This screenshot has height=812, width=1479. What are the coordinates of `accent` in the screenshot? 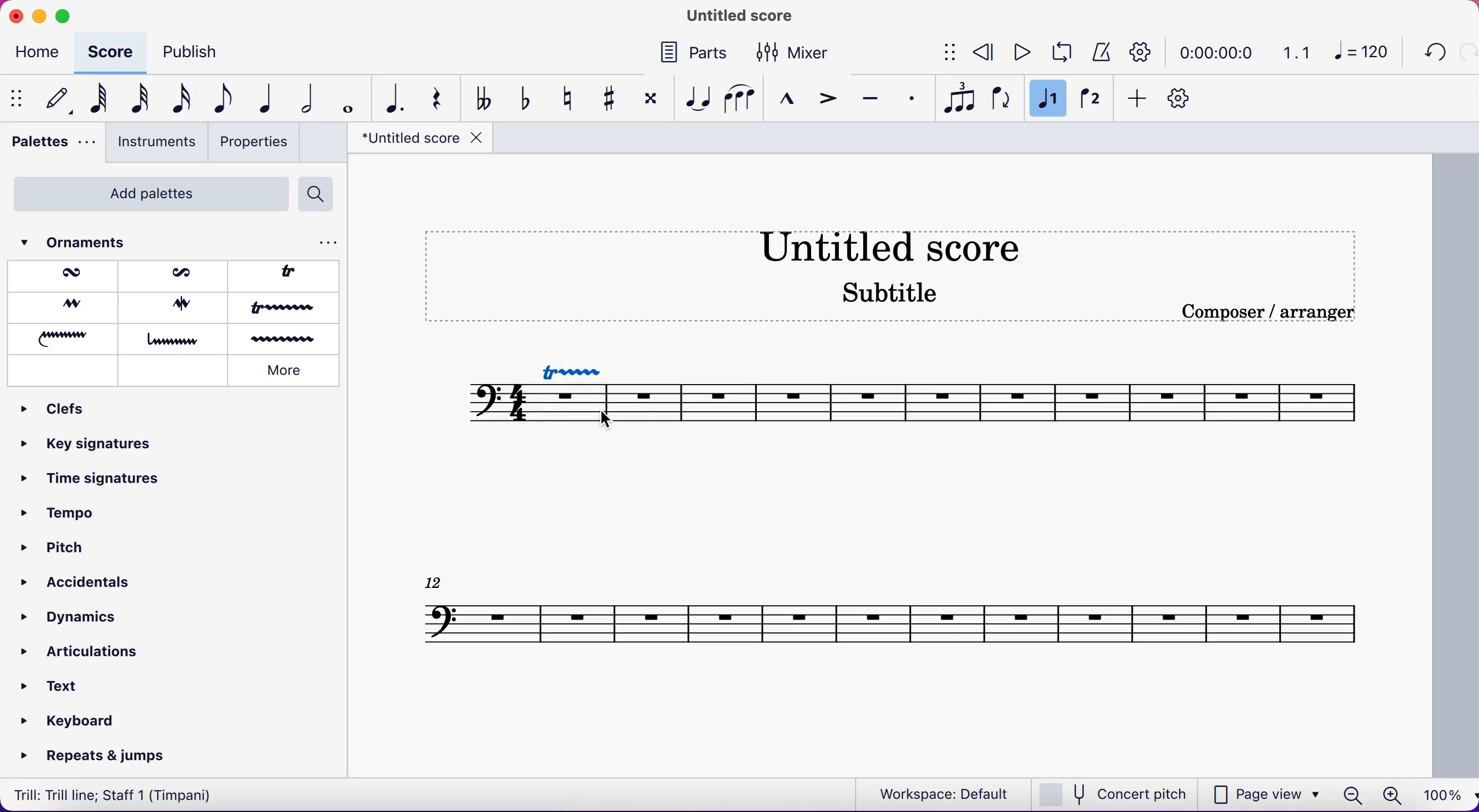 It's located at (827, 98).